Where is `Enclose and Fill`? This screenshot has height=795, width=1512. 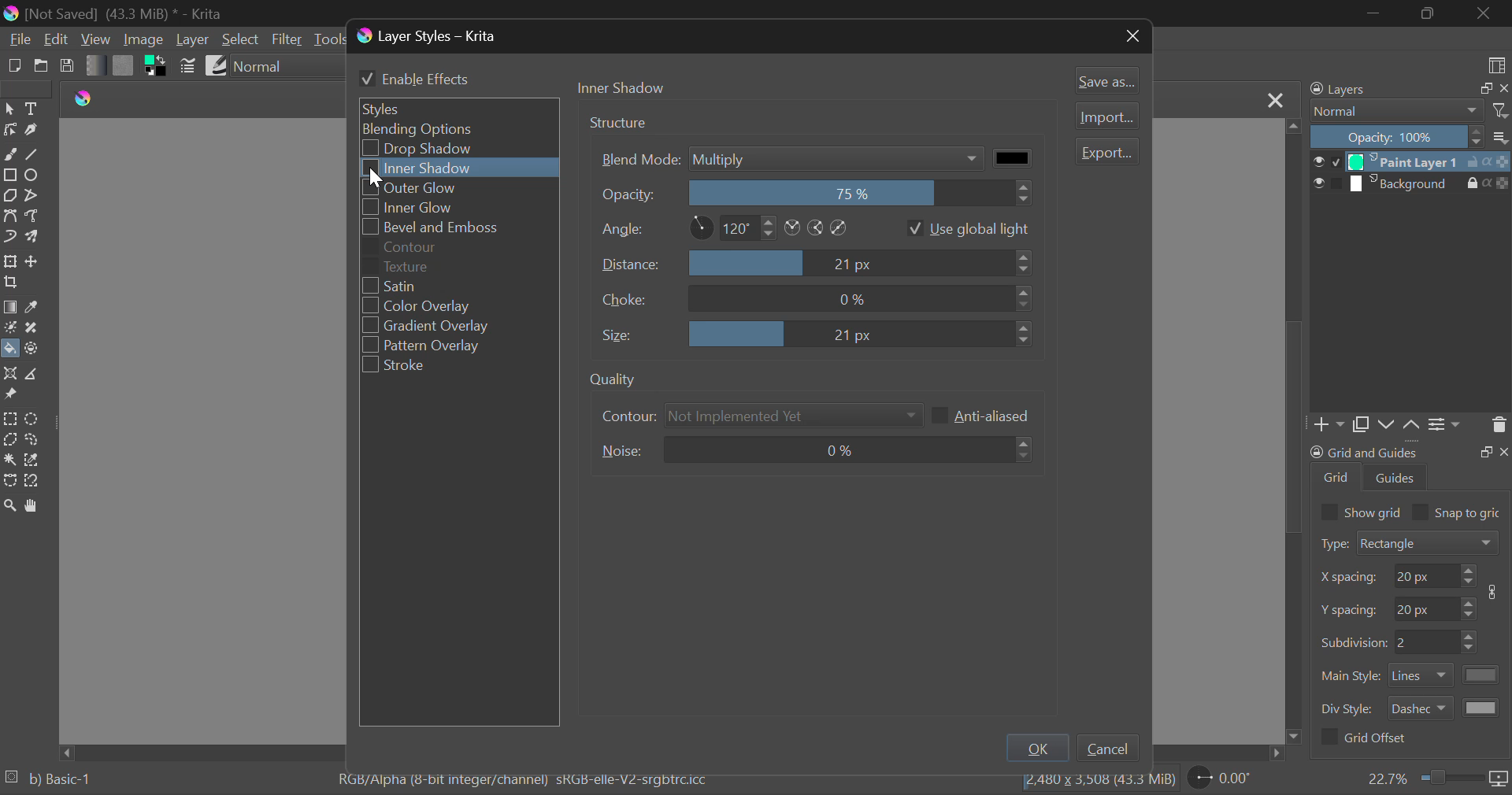
Enclose and Fill is located at coordinates (34, 349).